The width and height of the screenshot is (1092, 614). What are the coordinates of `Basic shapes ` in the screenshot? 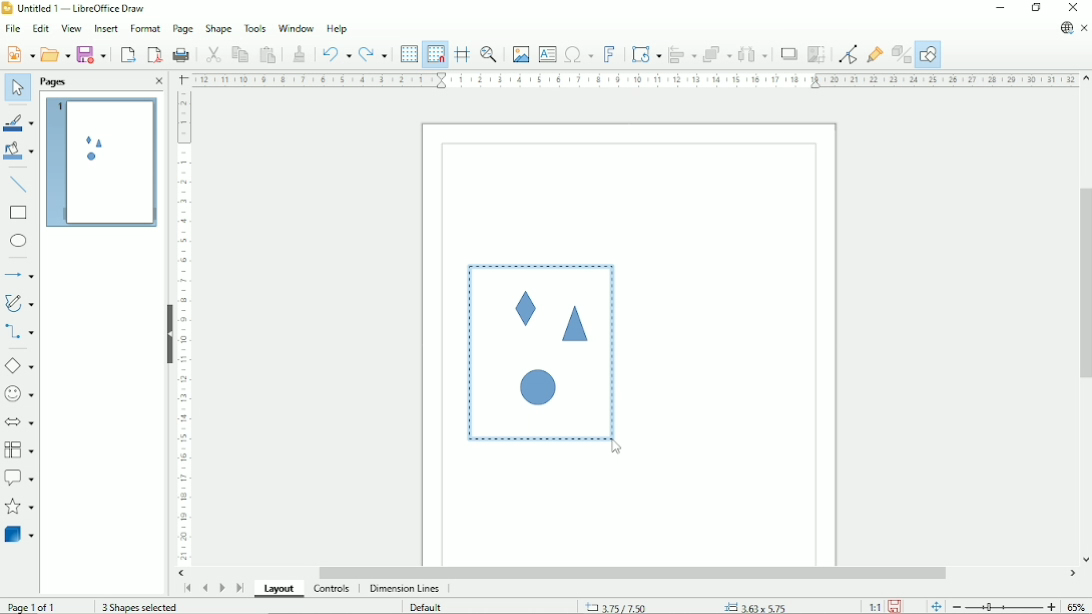 It's located at (19, 365).